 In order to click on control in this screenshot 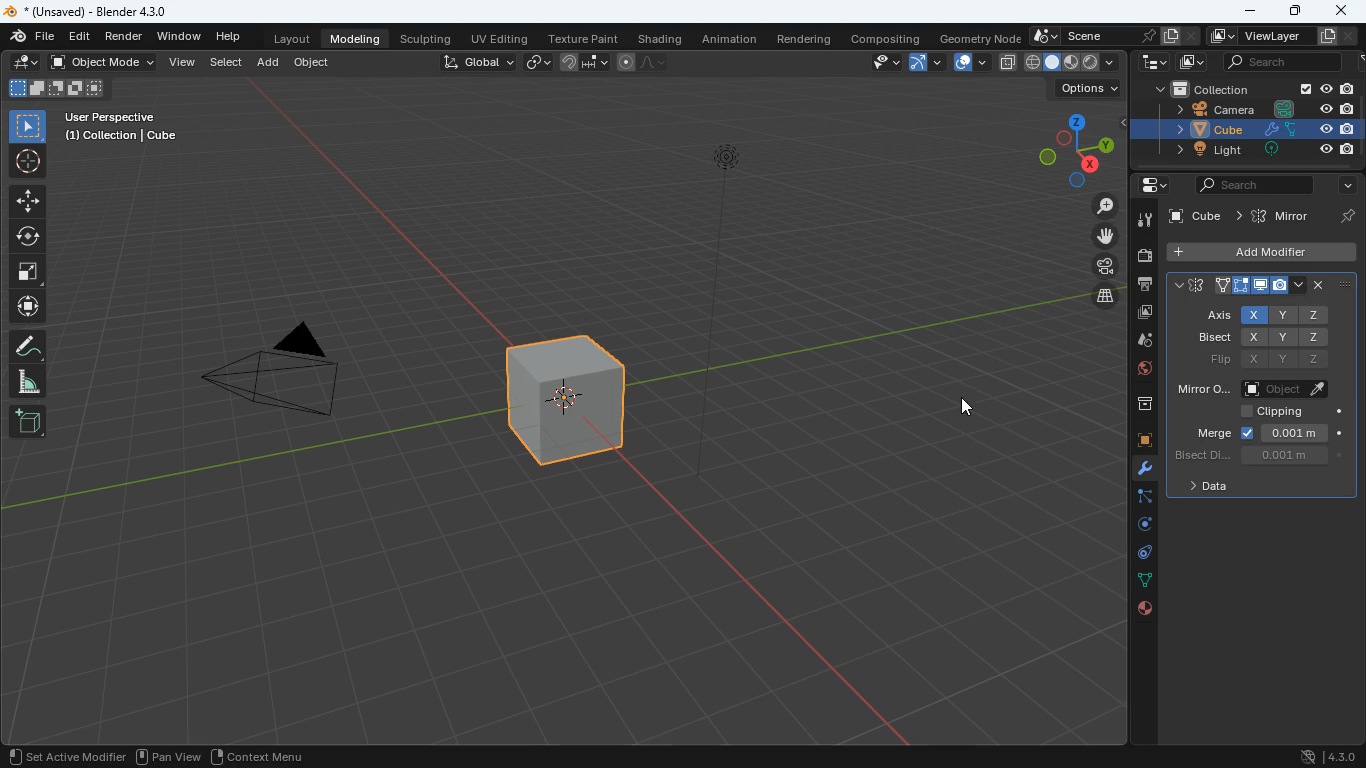, I will do `click(1141, 555)`.